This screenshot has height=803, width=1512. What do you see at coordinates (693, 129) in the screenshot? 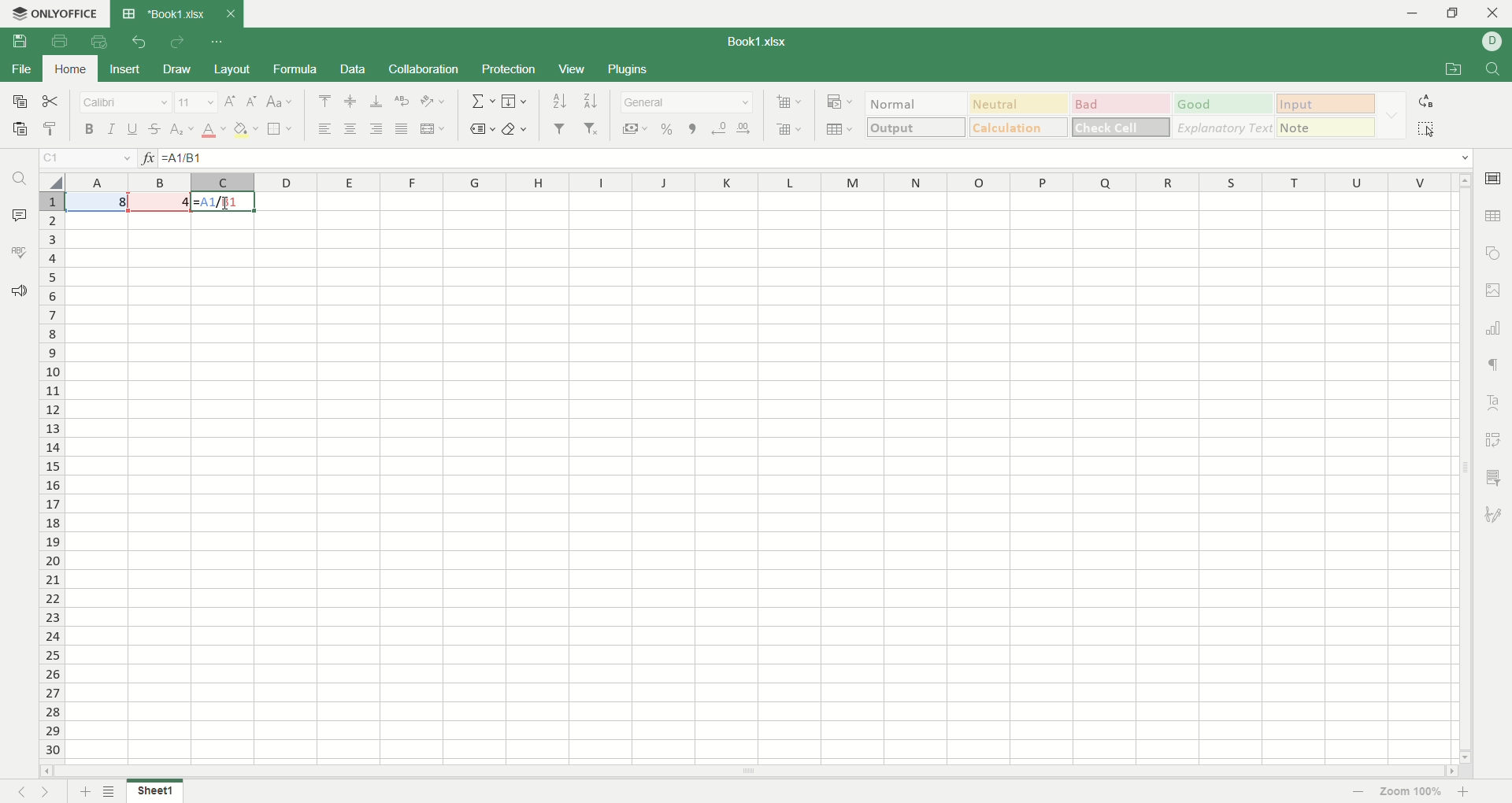
I see `comma format` at bounding box center [693, 129].